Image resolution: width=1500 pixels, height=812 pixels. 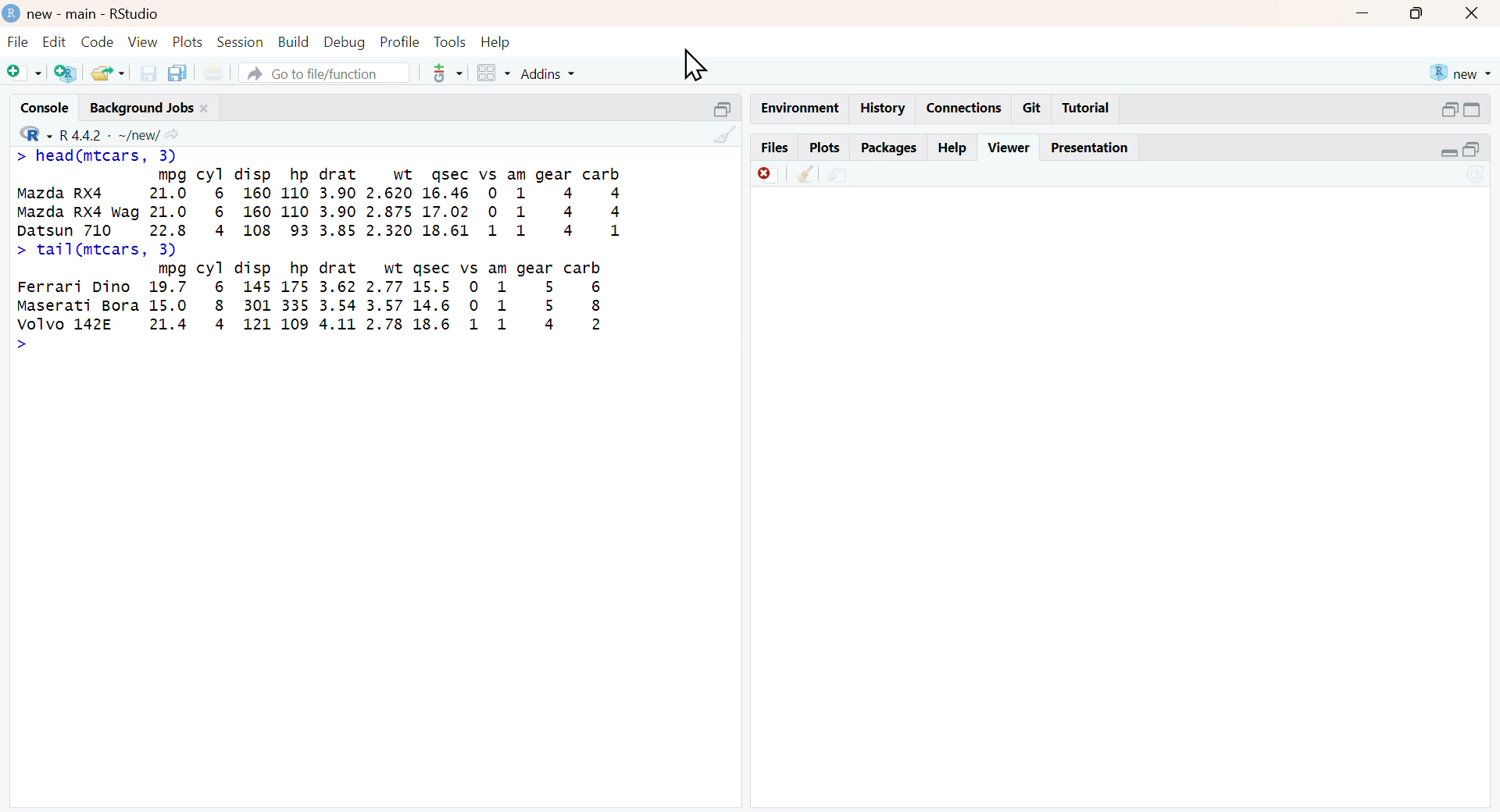 What do you see at coordinates (323, 73) in the screenshot?
I see `A Go to file/function` at bounding box center [323, 73].